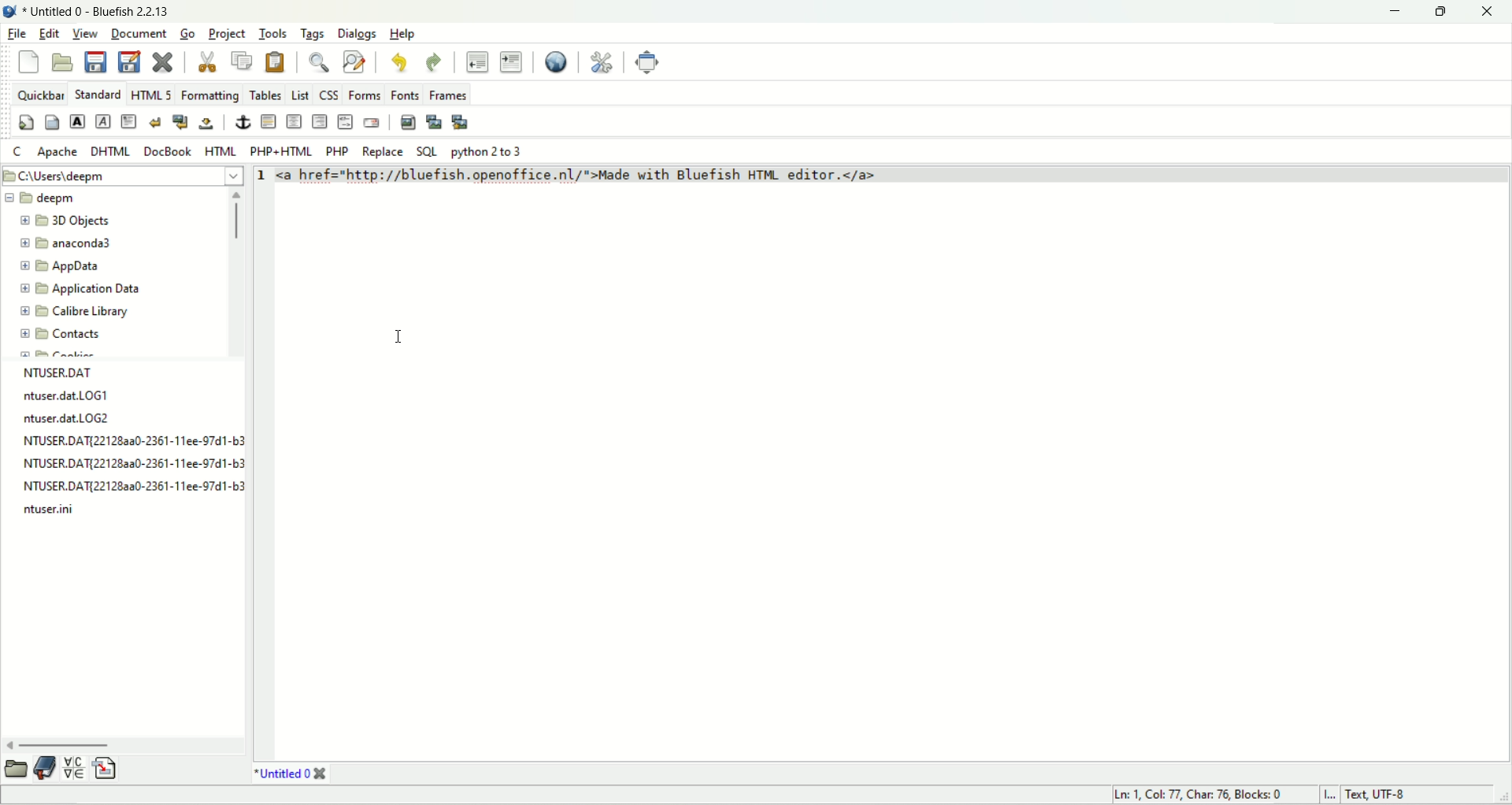  I want to click on PHP+HTML, so click(283, 152).